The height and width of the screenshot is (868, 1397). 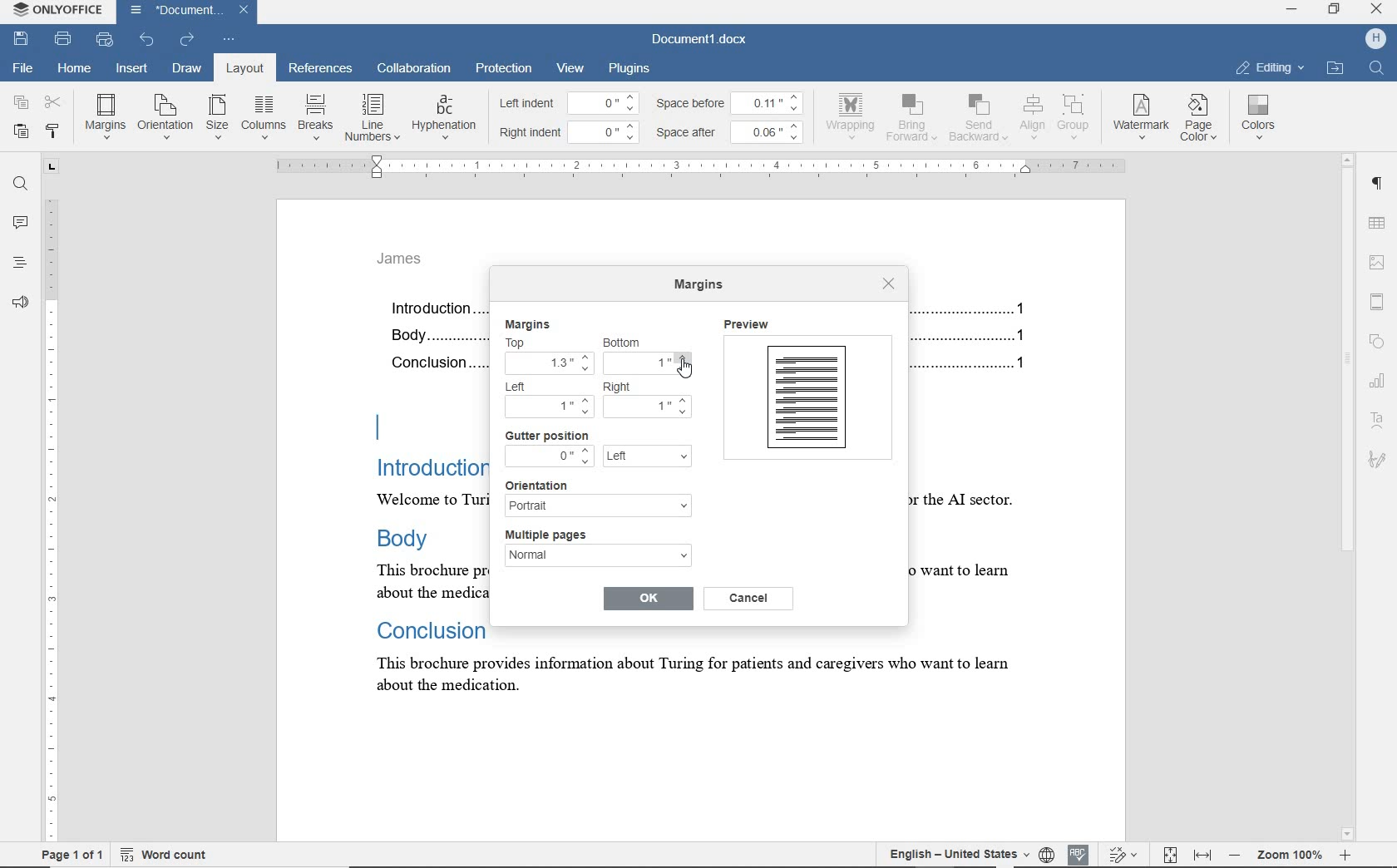 What do you see at coordinates (547, 436) in the screenshot?
I see `gutter position` at bounding box center [547, 436].